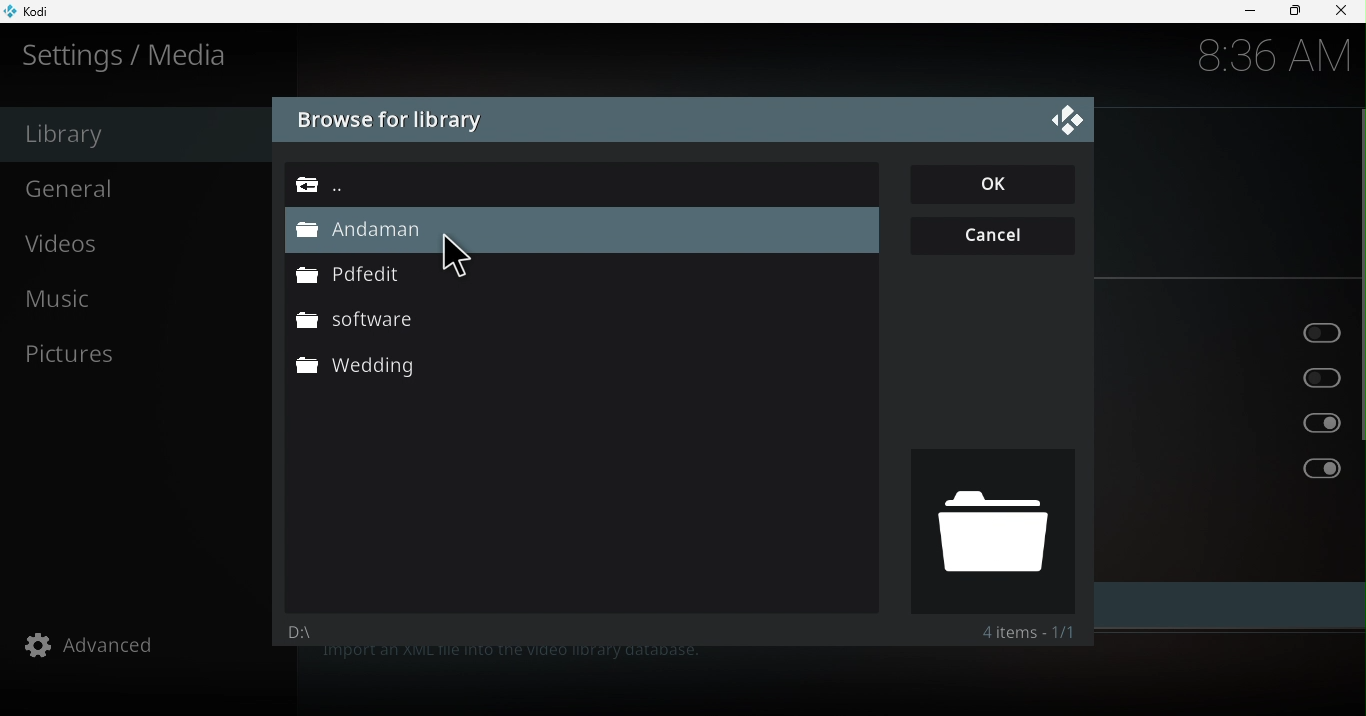 The image size is (1366, 716). I want to click on close, so click(1344, 11).